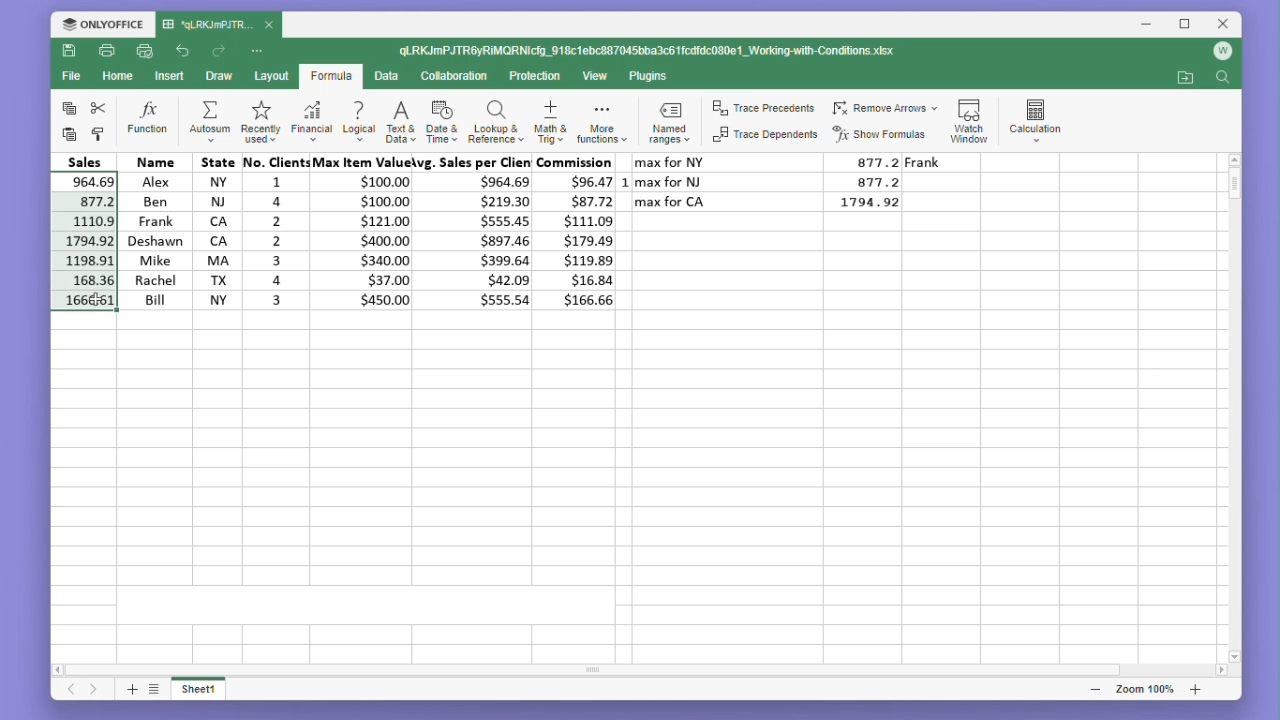 The image size is (1280, 720). What do you see at coordinates (1235, 656) in the screenshot?
I see `scroll down` at bounding box center [1235, 656].